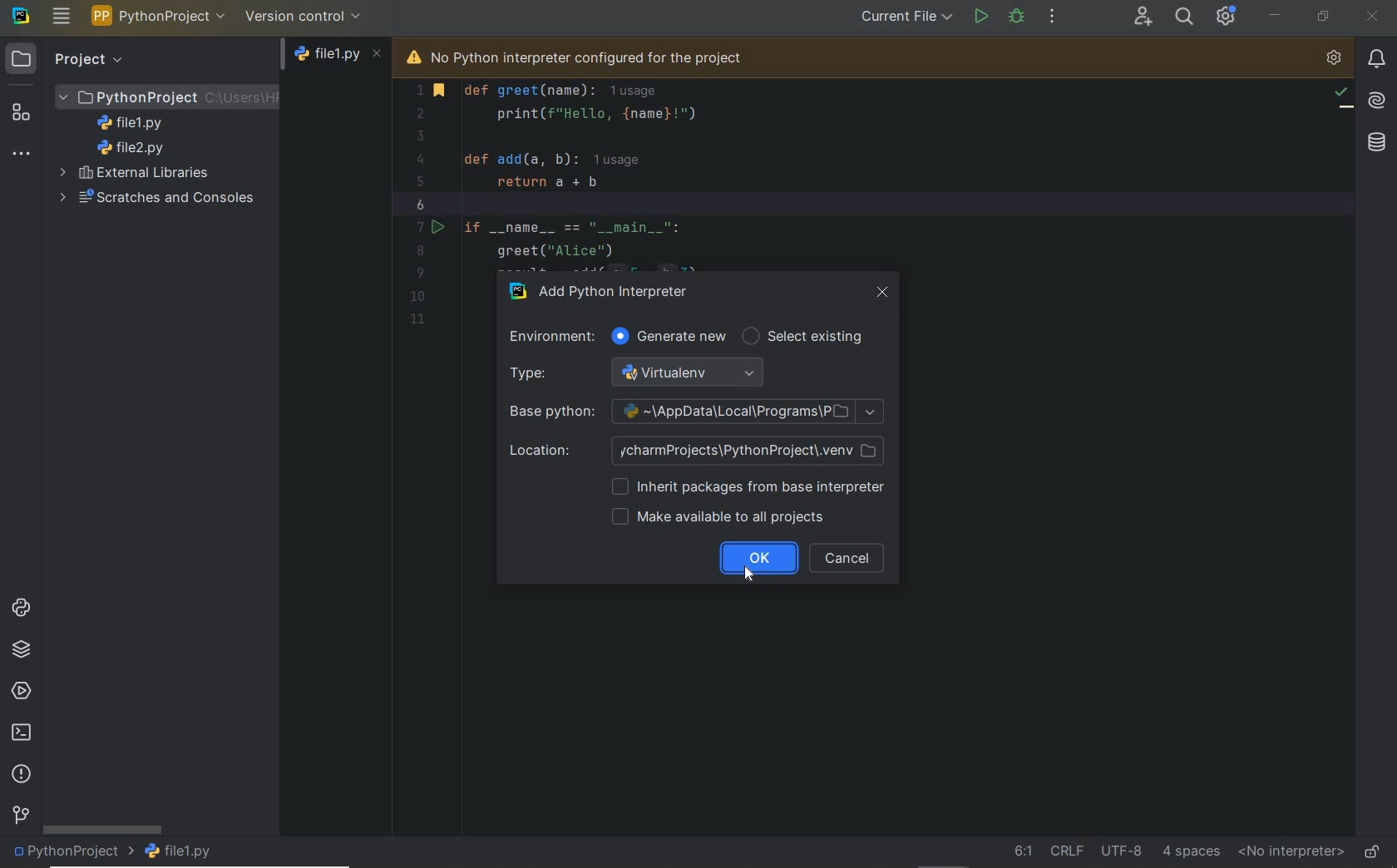 This screenshot has height=868, width=1397. I want to click on file name, so click(188, 851).